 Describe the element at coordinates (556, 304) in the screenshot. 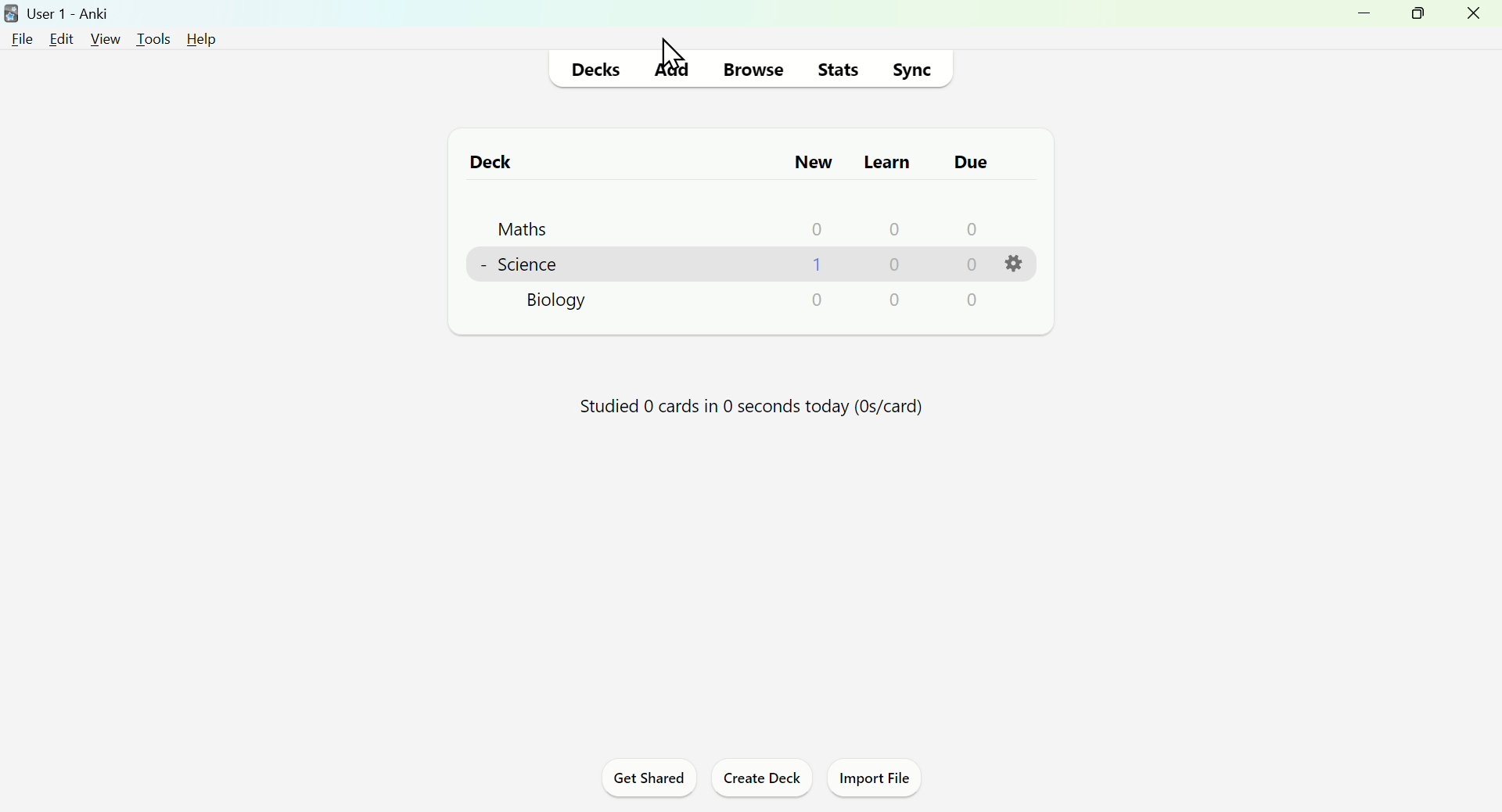

I see `Biology` at that location.